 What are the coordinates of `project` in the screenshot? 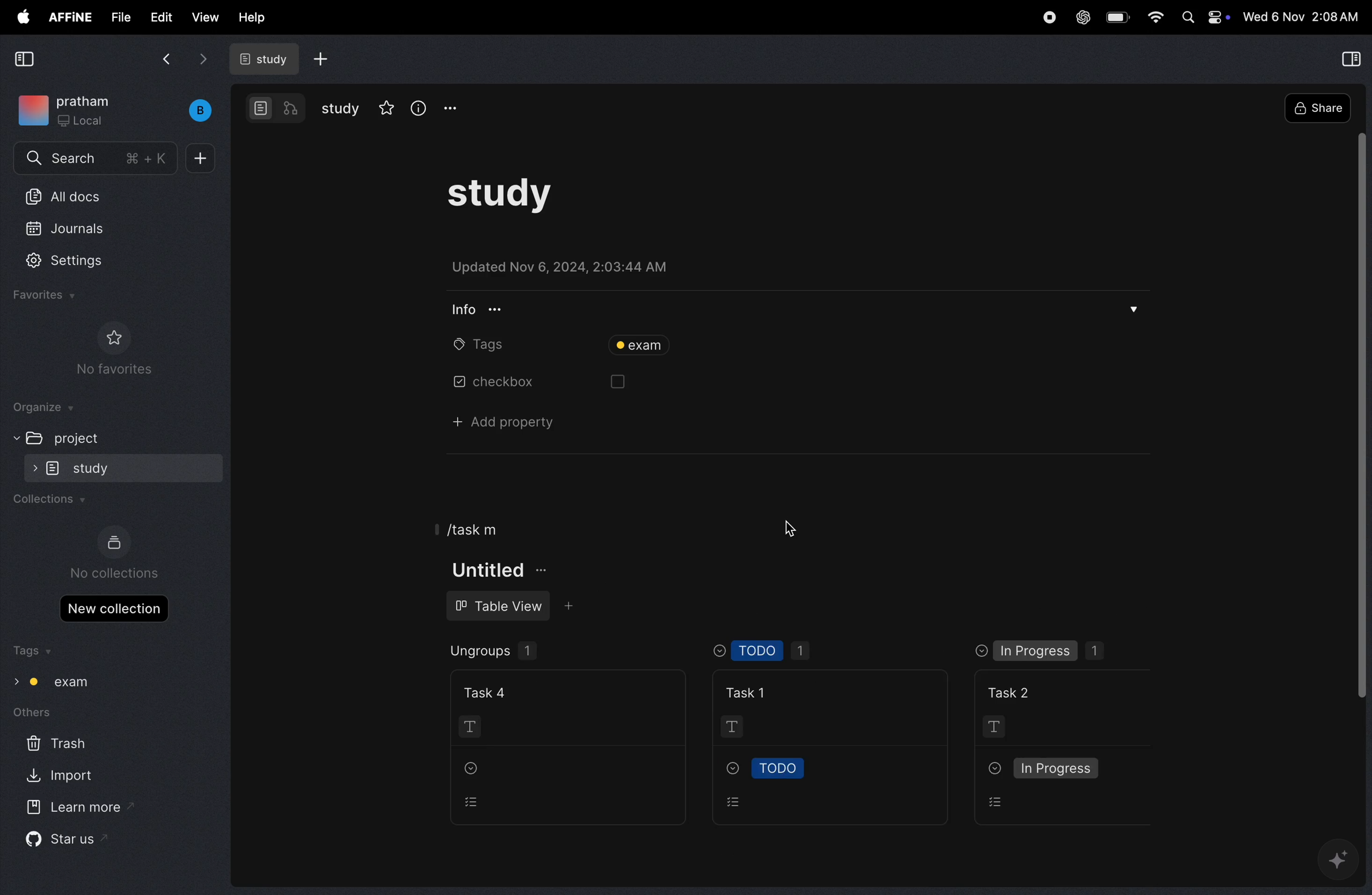 It's located at (67, 437).